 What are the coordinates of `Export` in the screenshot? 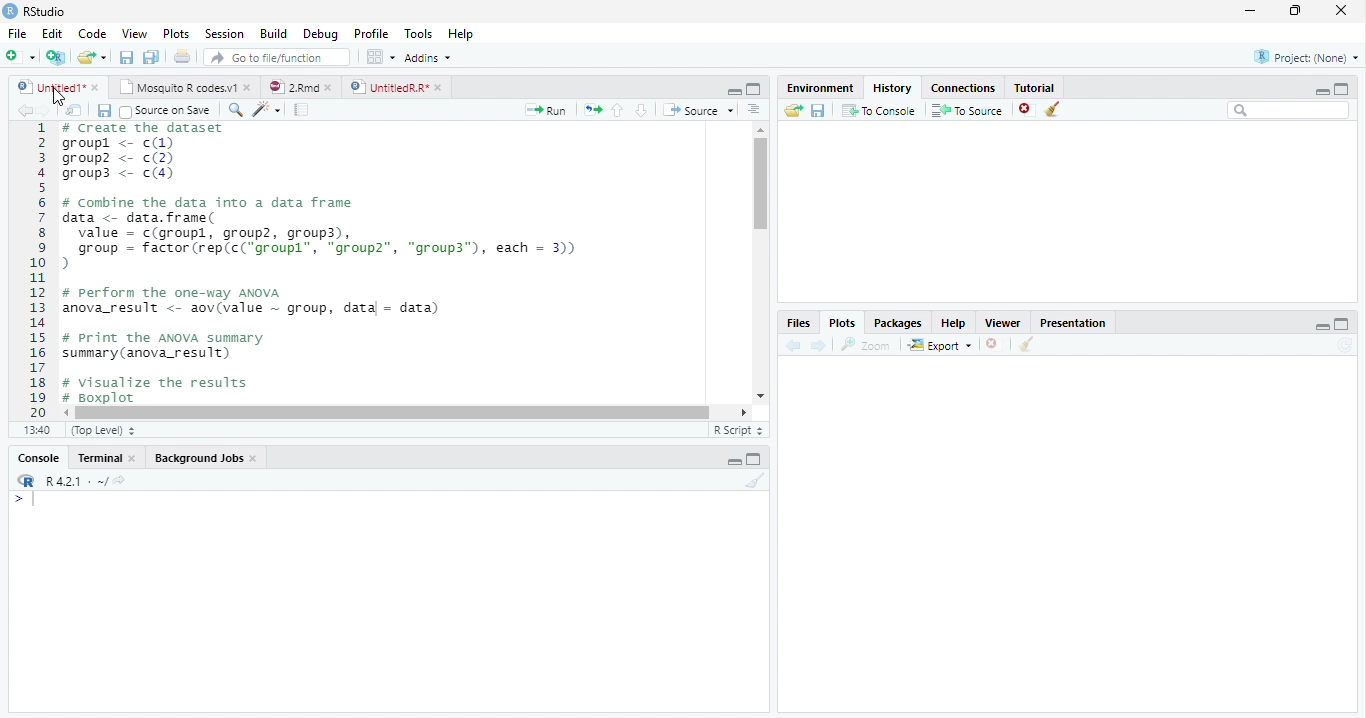 It's located at (941, 345).